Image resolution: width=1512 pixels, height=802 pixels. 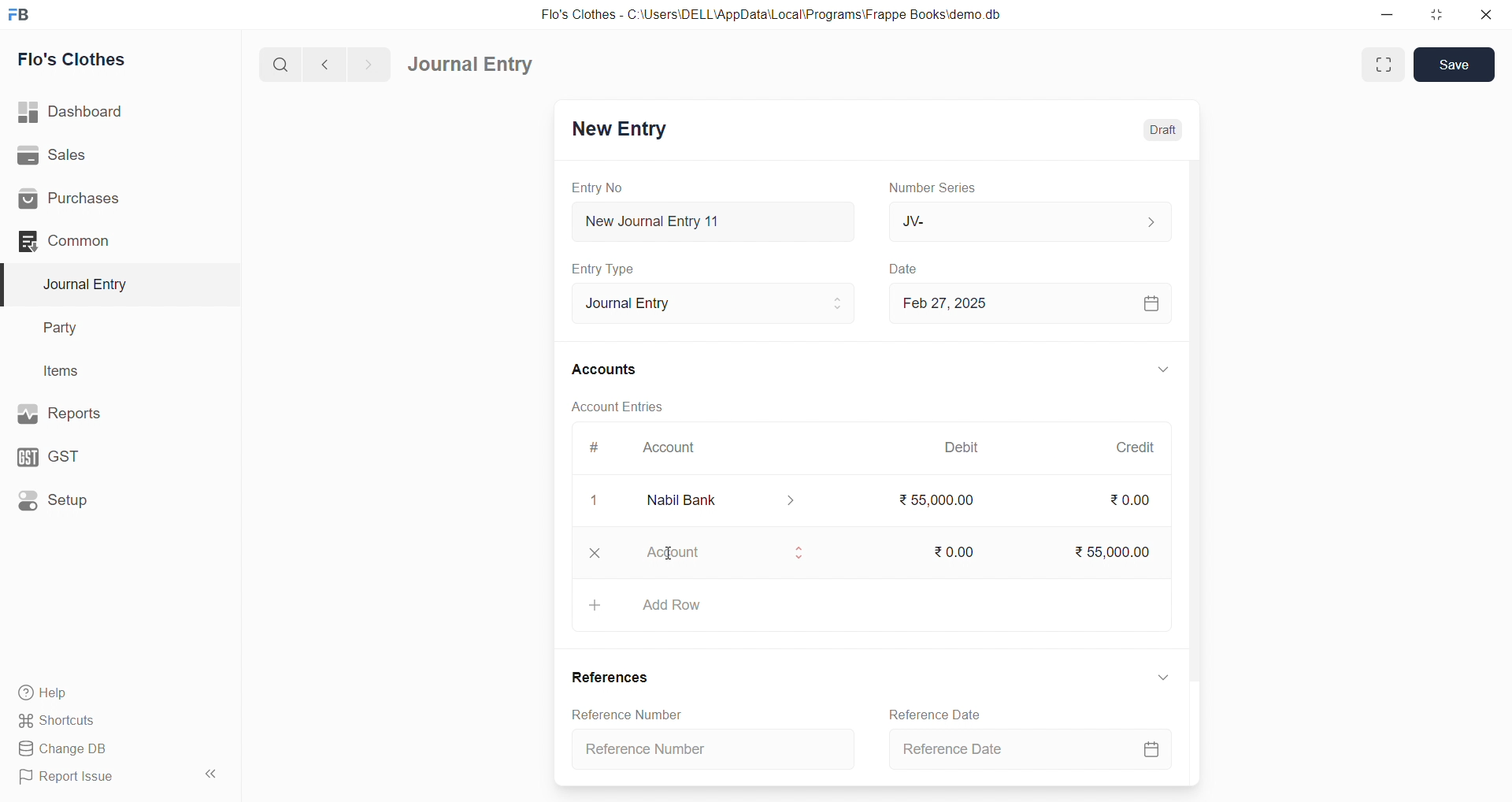 I want to click on Draft, so click(x=1164, y=129).